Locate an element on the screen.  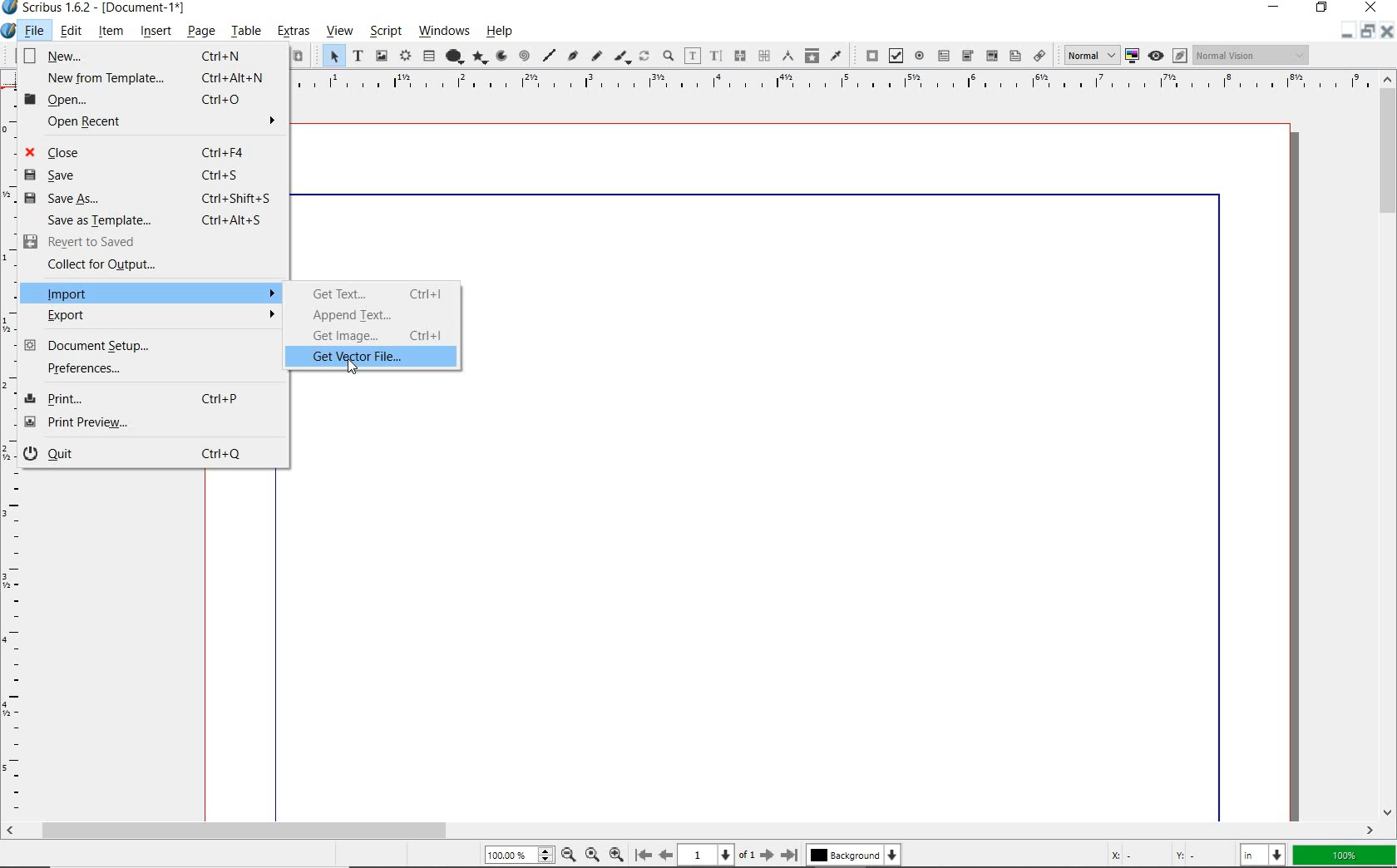
scrollbar is located at coordinates (1389, 446).